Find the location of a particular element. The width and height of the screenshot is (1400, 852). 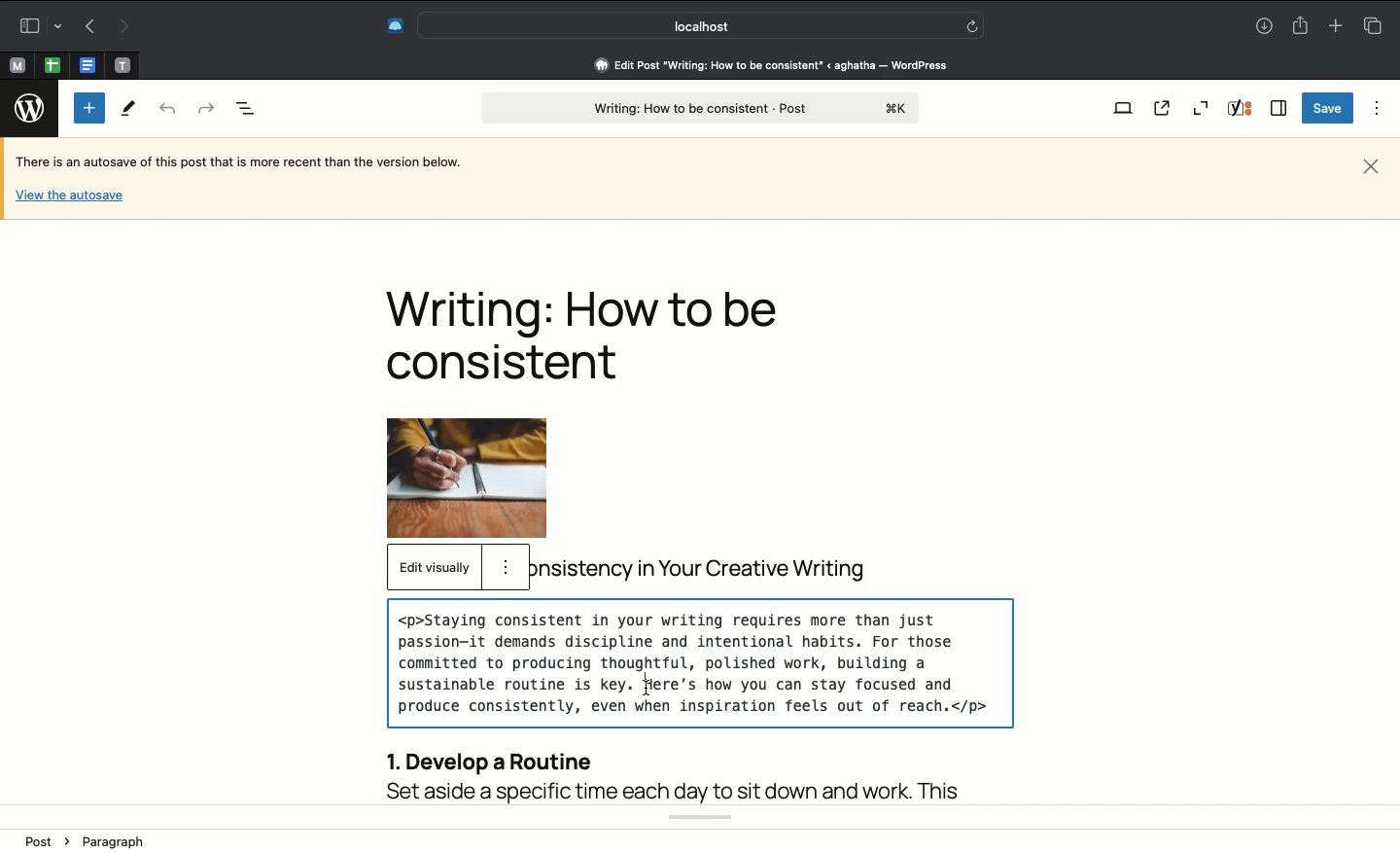

View the autosave is located at coordinates (69, 194).